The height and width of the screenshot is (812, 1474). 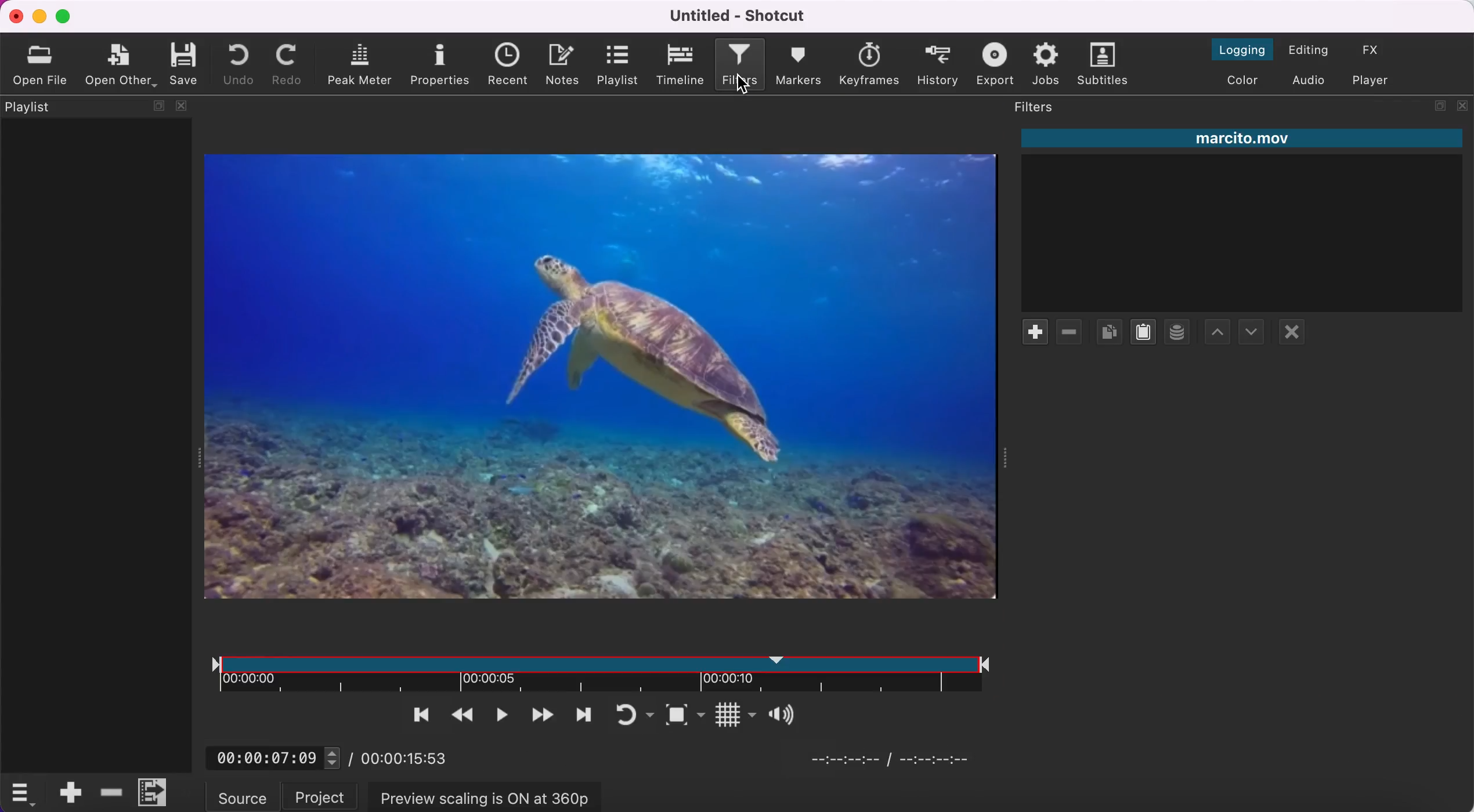 I want to click on move filter down, so click(x=1216, y=333).